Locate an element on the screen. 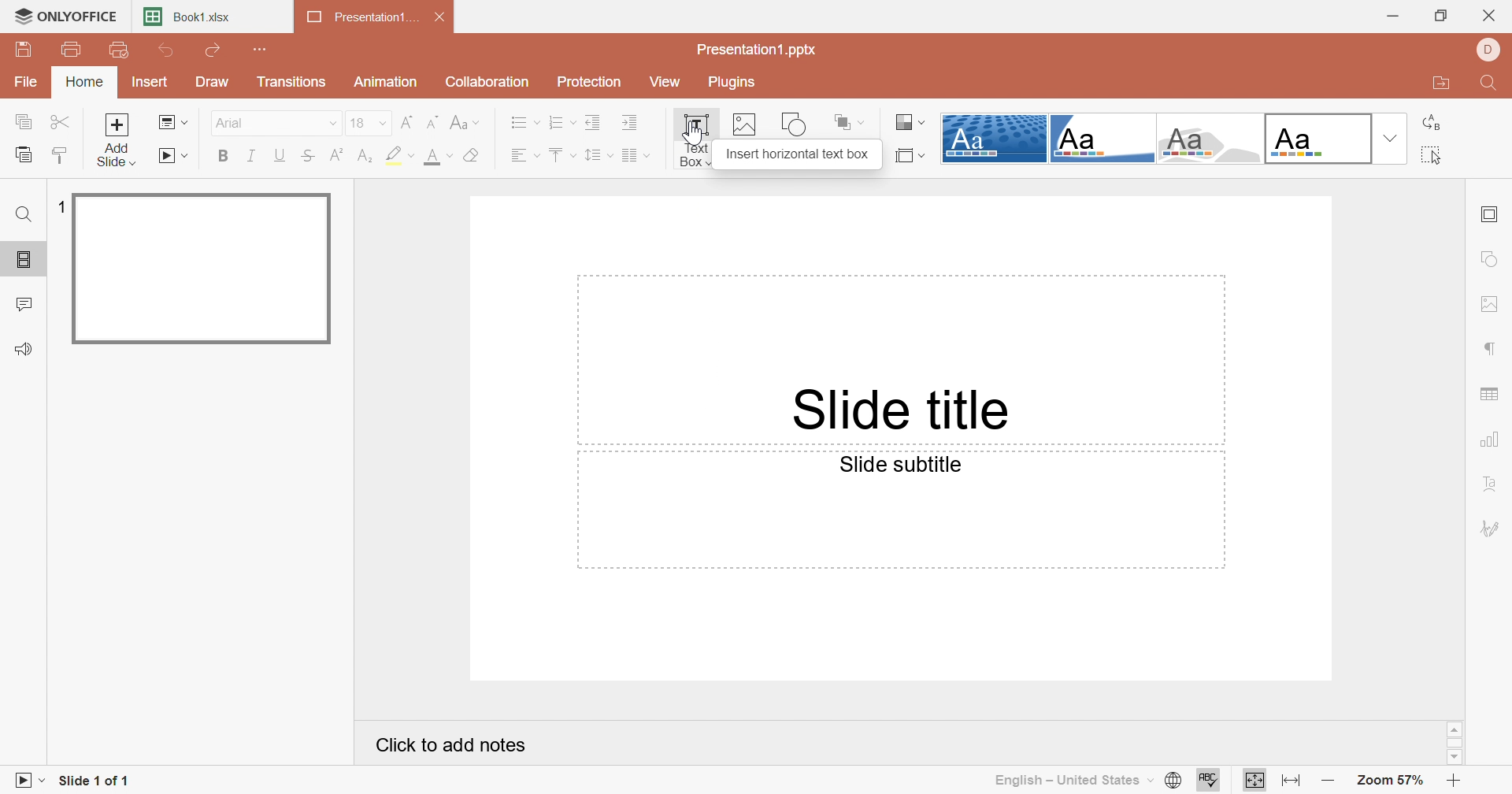 This screenshot has height=794, width=1512. Slides is located at coordinates (24, 261).